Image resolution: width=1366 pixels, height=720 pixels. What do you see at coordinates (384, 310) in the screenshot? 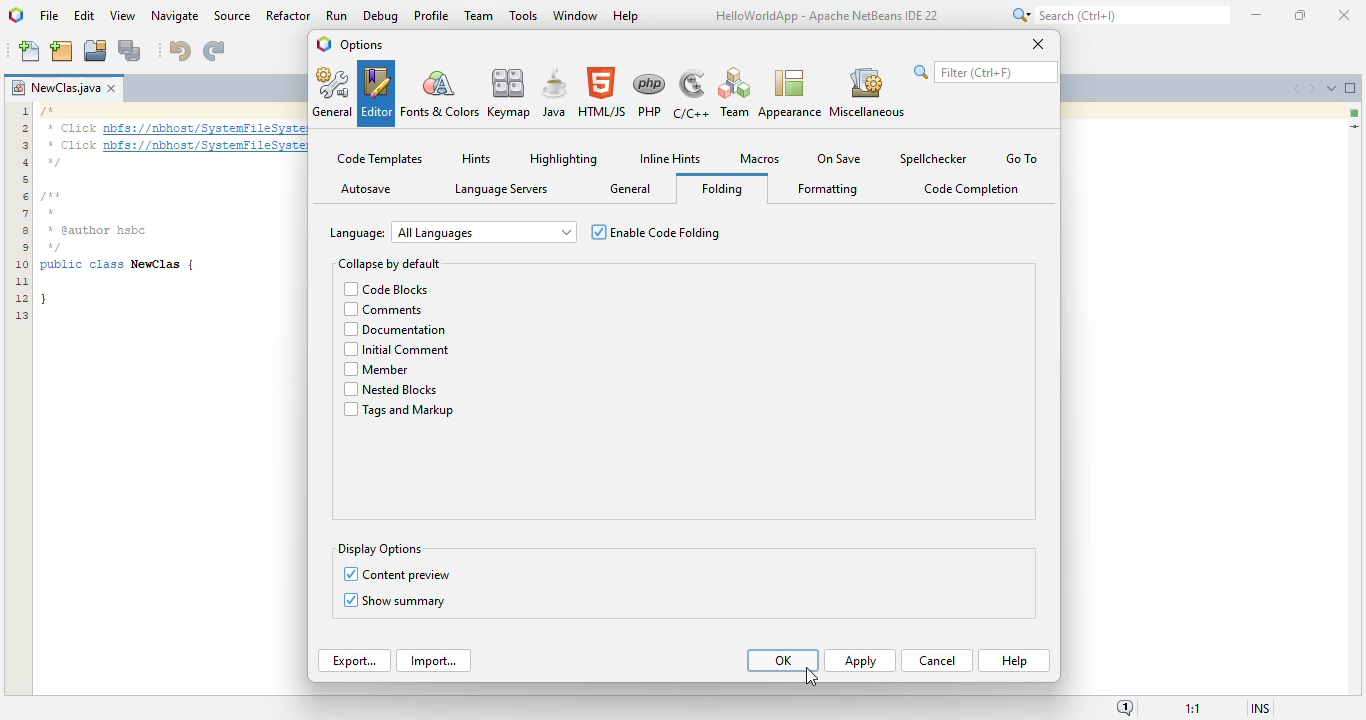
I see `comments` at bounding box center [384, 310].